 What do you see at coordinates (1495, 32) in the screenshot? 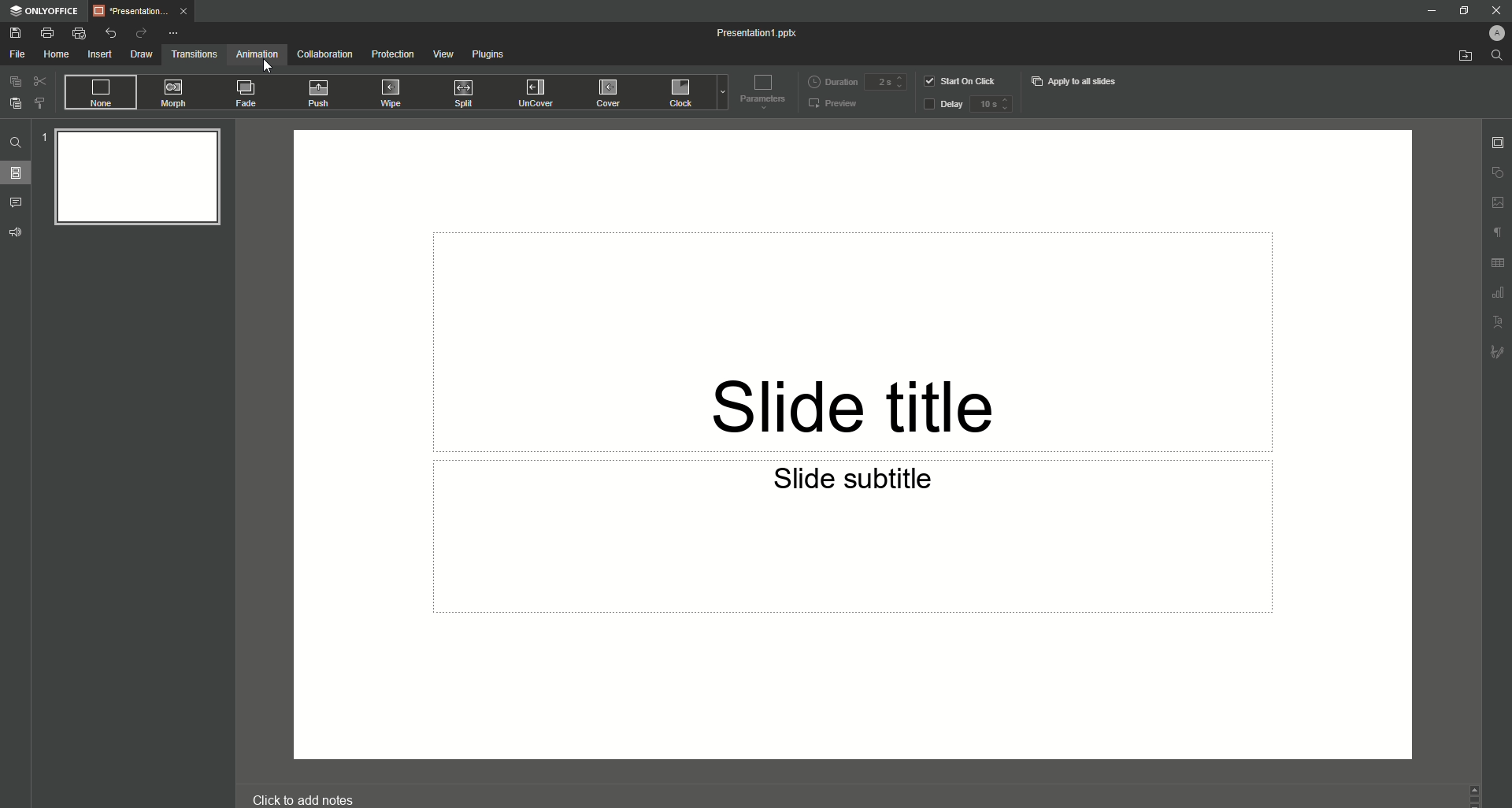
I see `Profile` at bounding box center [1495, 32].